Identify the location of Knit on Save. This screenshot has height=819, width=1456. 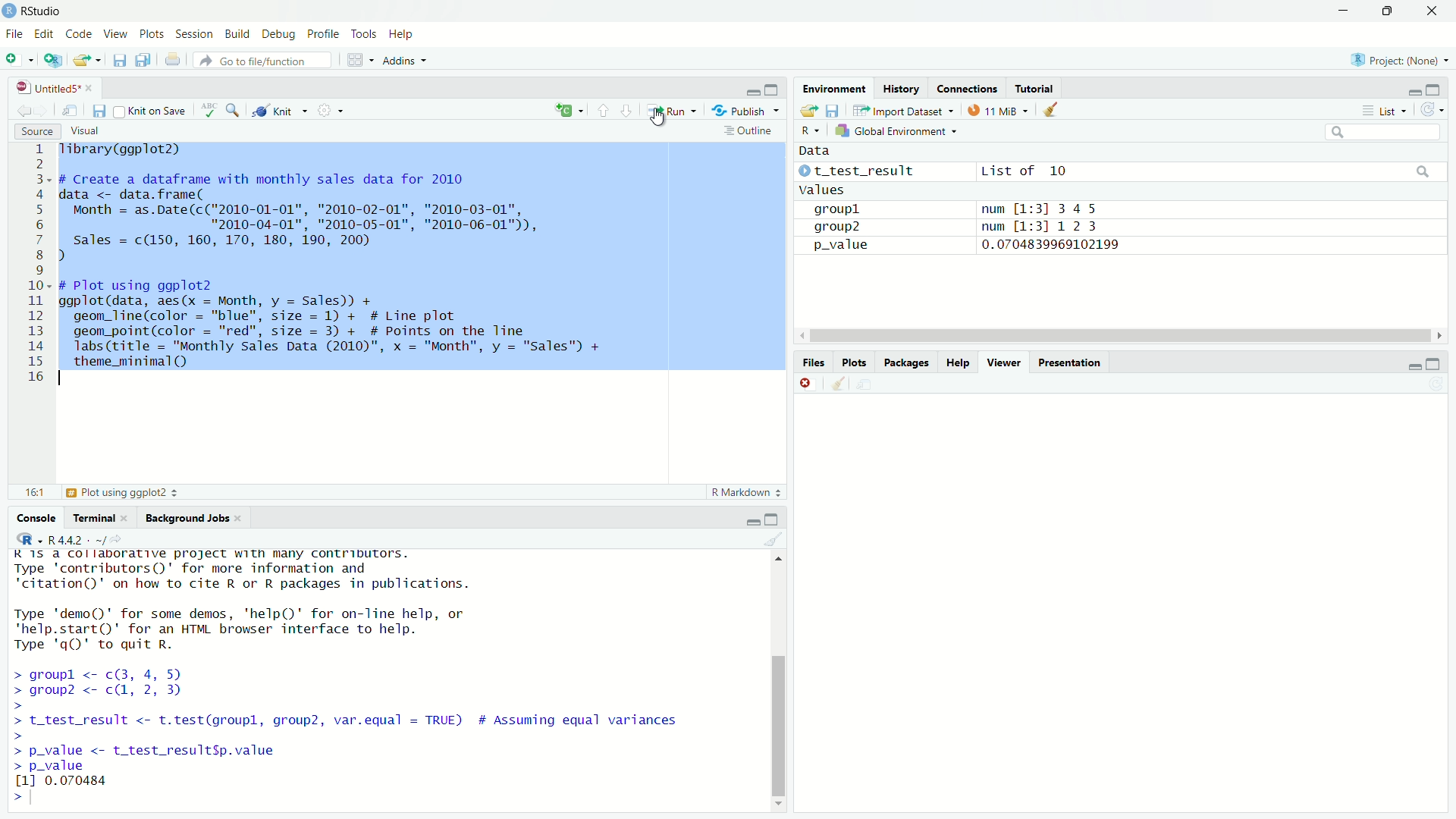
(152, 110).